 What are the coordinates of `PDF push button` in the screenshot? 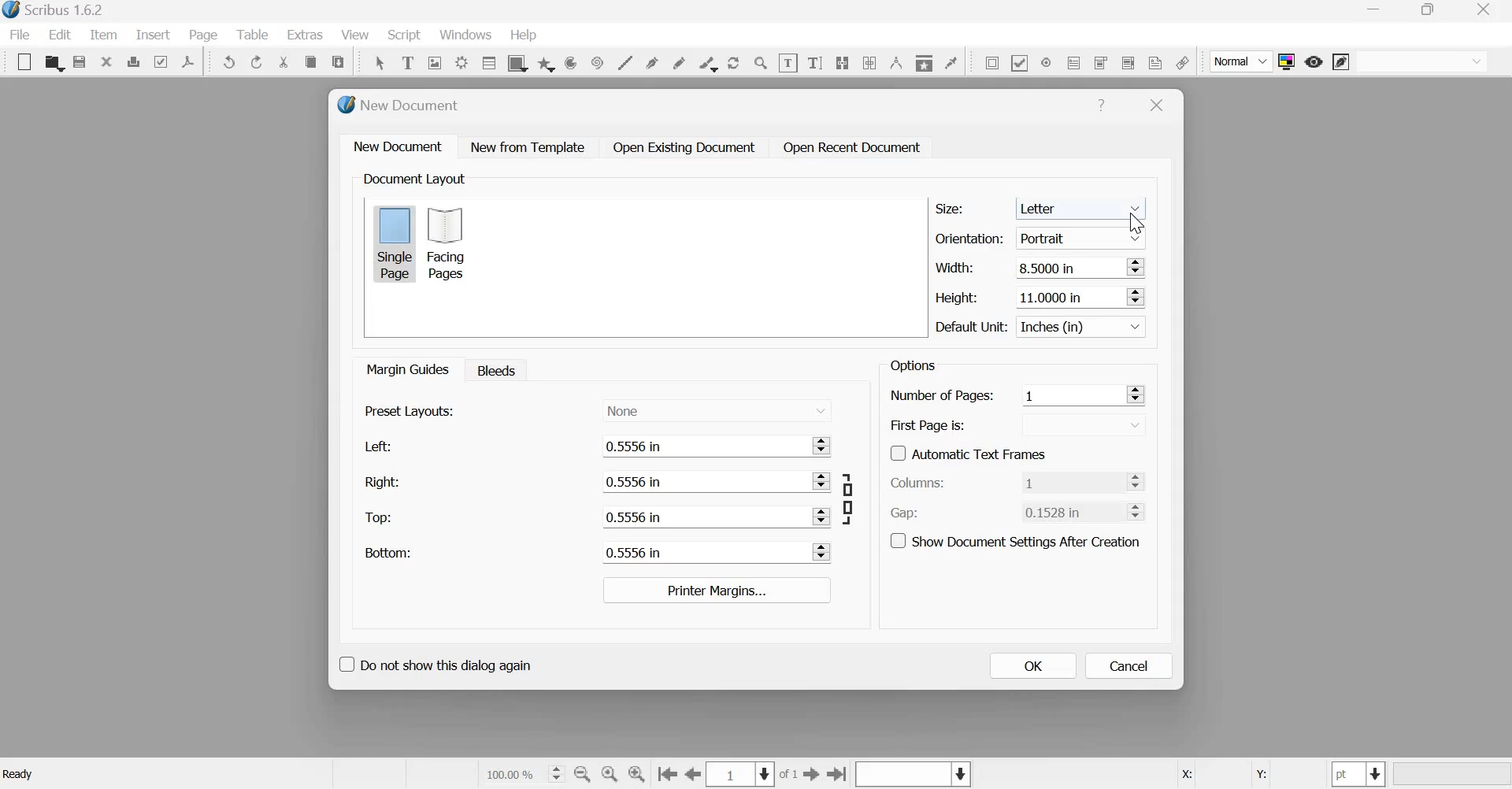 It's located at (989, 62).